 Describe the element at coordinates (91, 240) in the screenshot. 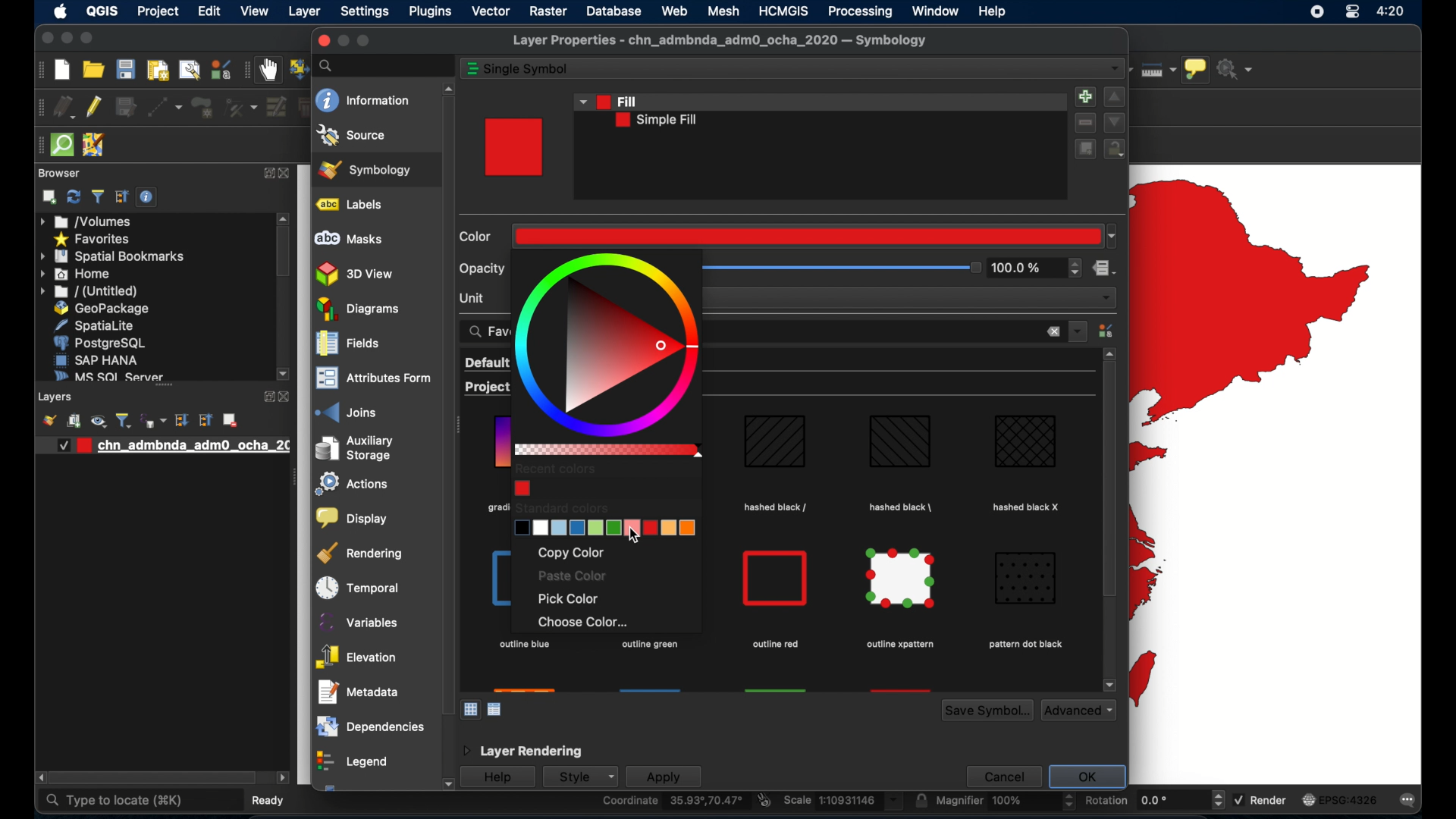

I see `favorites` at that location.